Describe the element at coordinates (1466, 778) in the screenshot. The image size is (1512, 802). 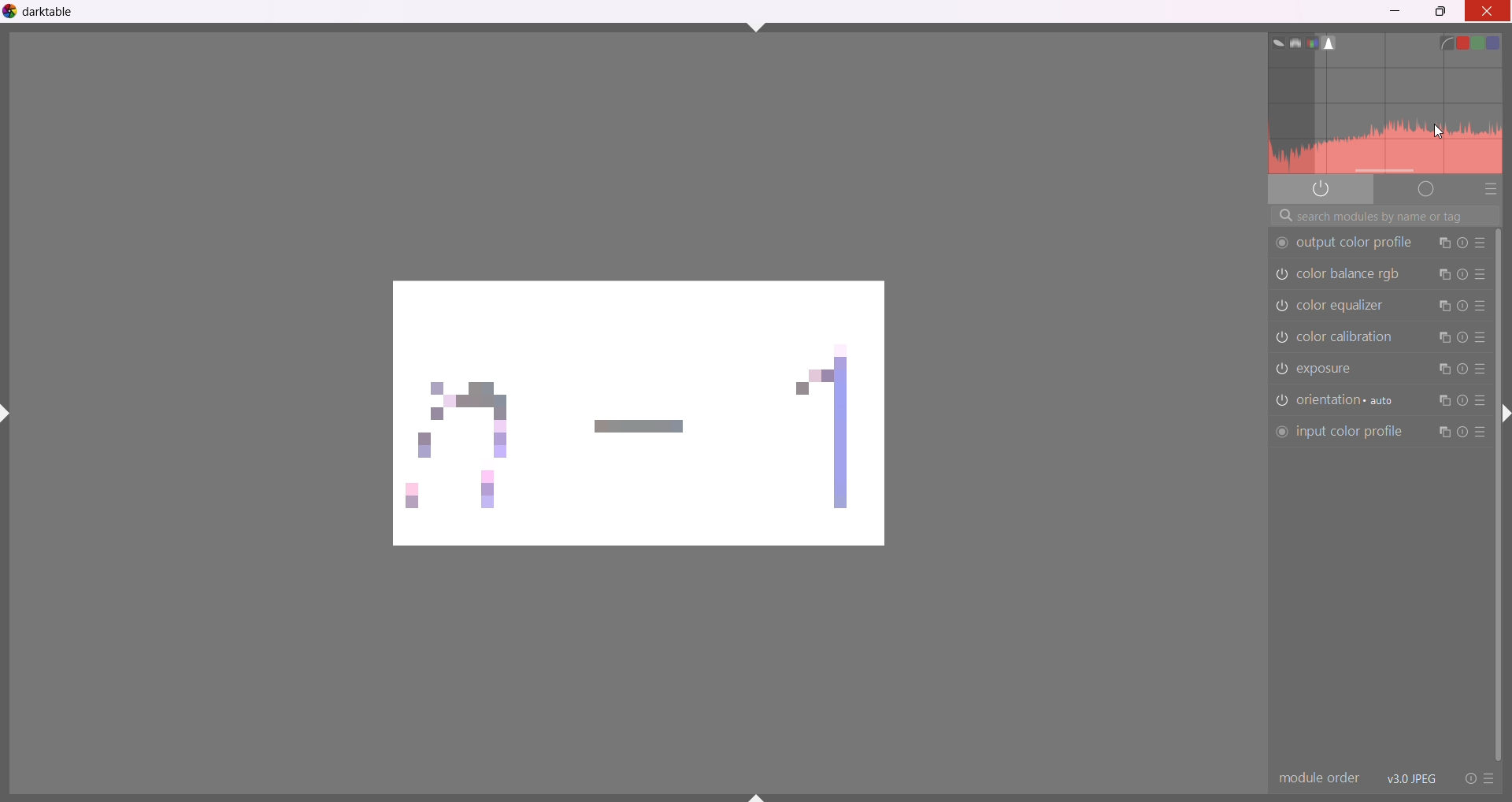
I see `reset` at that location.